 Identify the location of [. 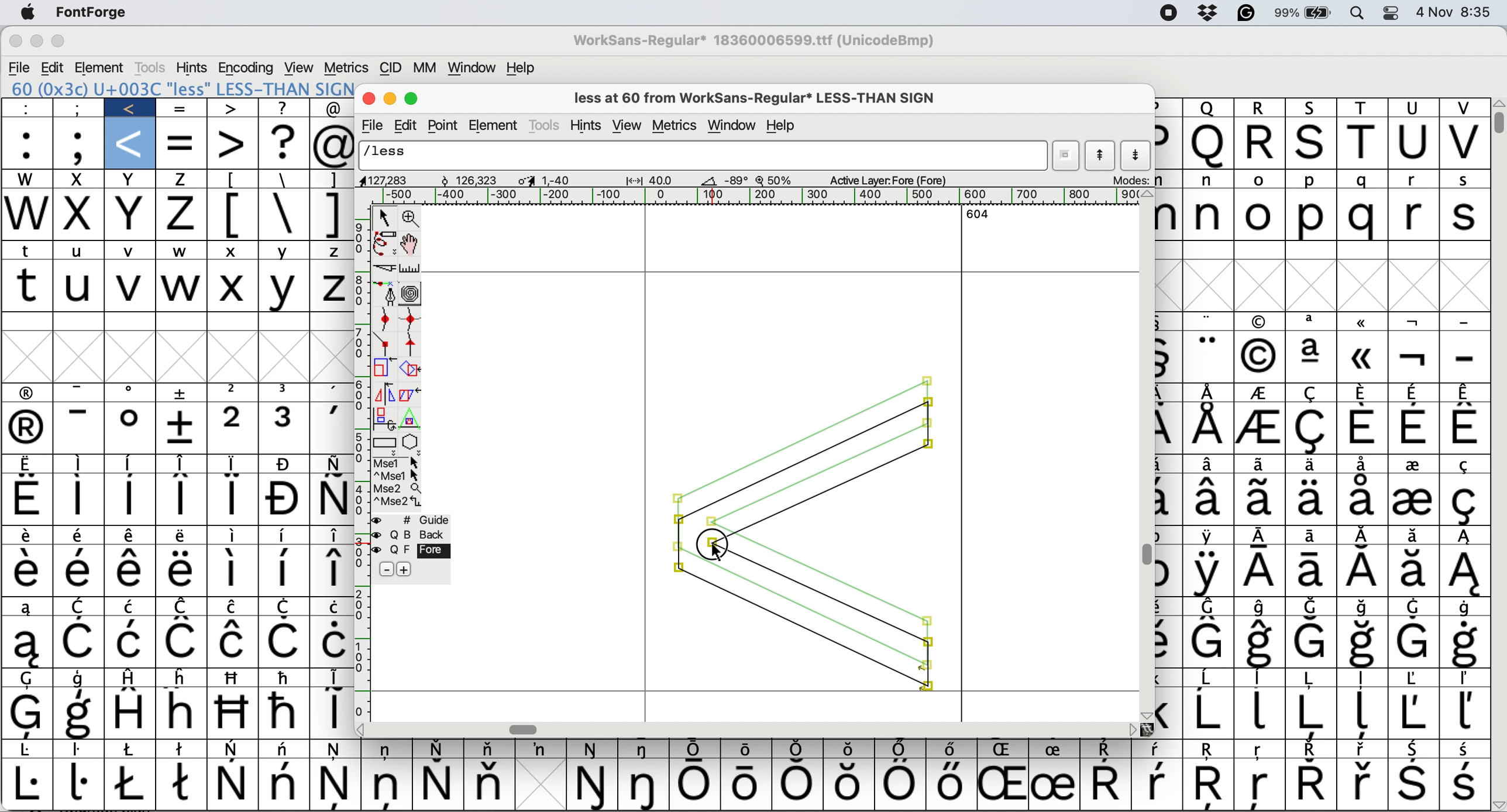
(234, 215).